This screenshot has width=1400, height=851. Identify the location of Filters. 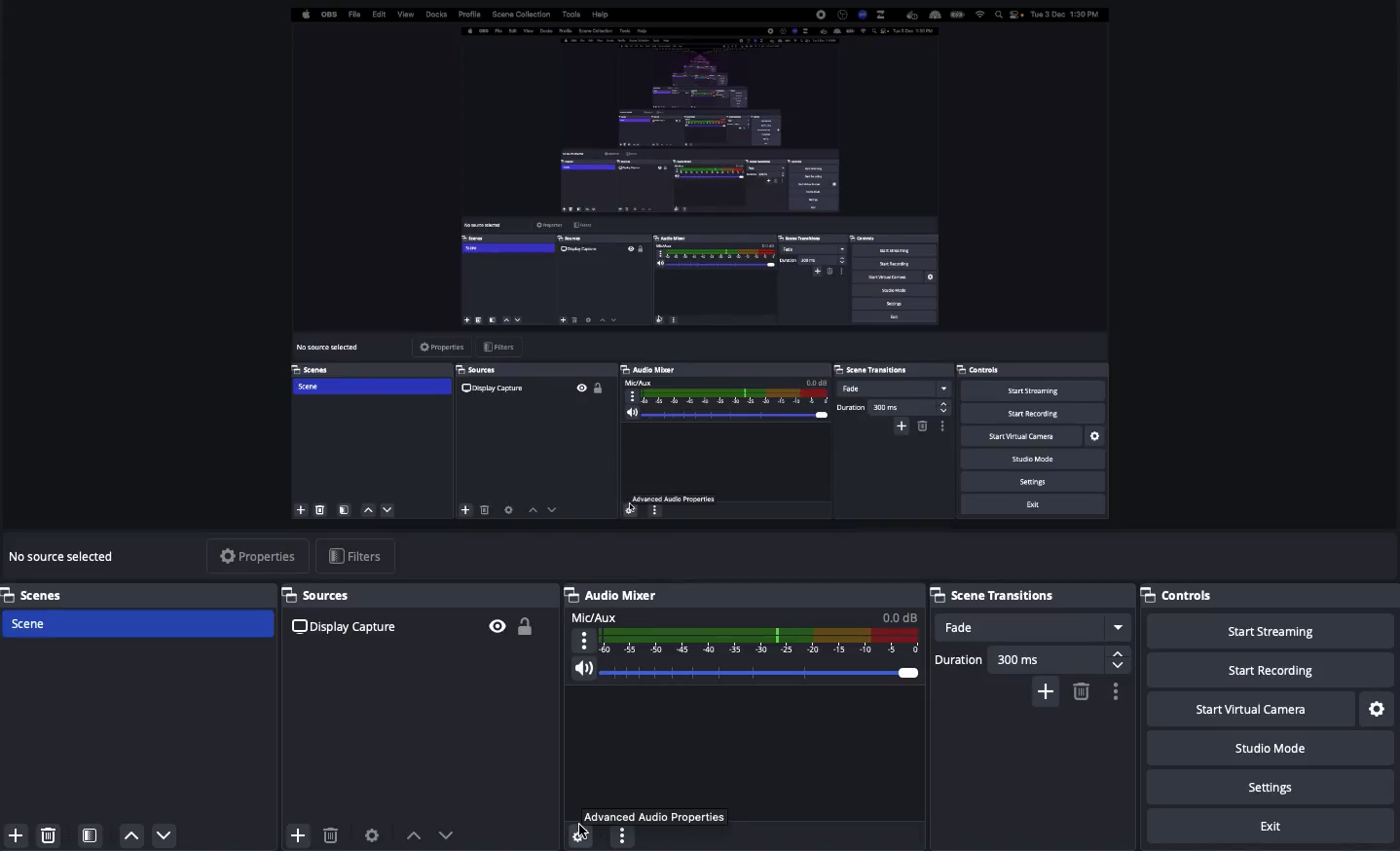
(359, 555).